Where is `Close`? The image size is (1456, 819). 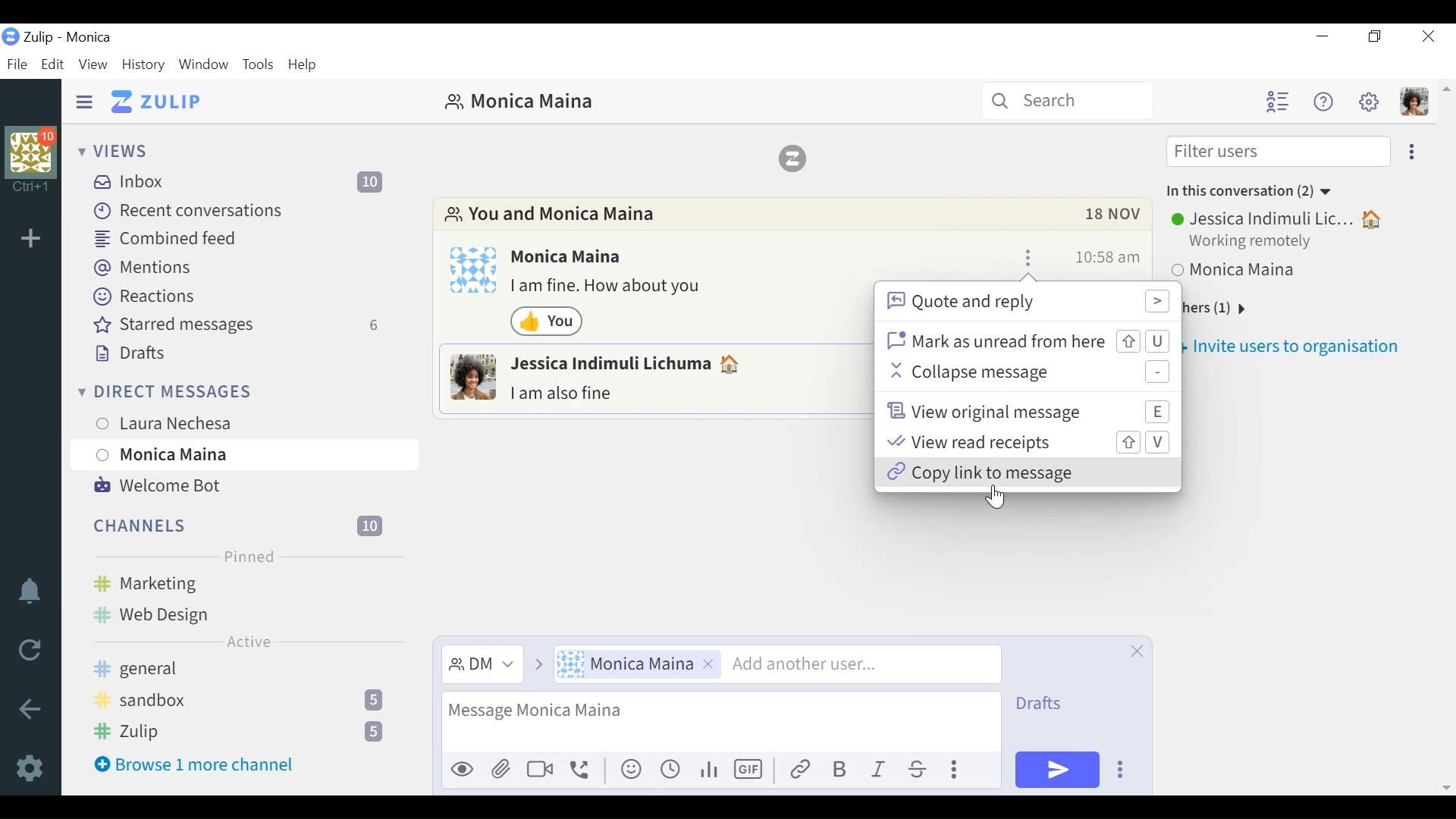 Close is located at coordinates (1426, 38).